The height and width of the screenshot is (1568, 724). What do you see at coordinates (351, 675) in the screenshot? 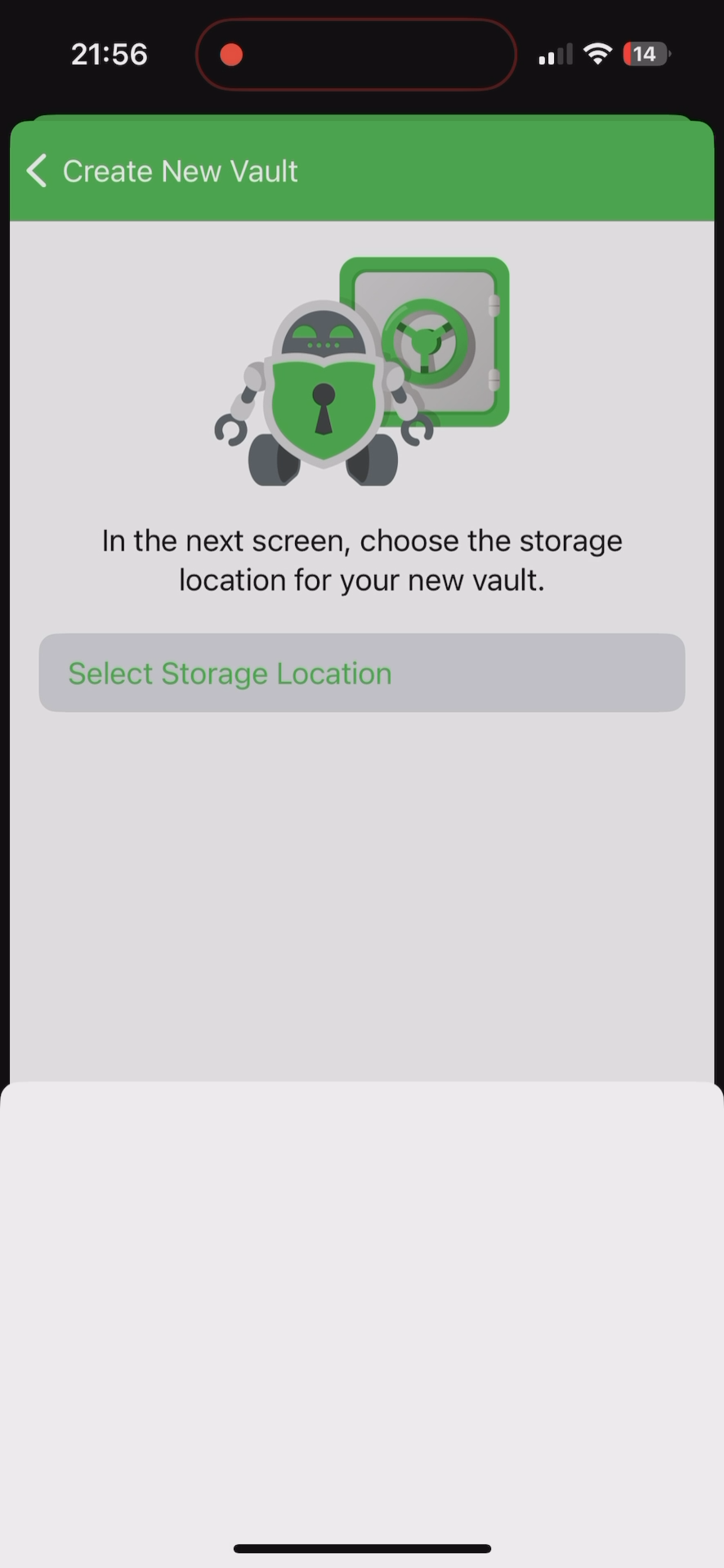
I see `select storage location` at bounding box center [351, 675].